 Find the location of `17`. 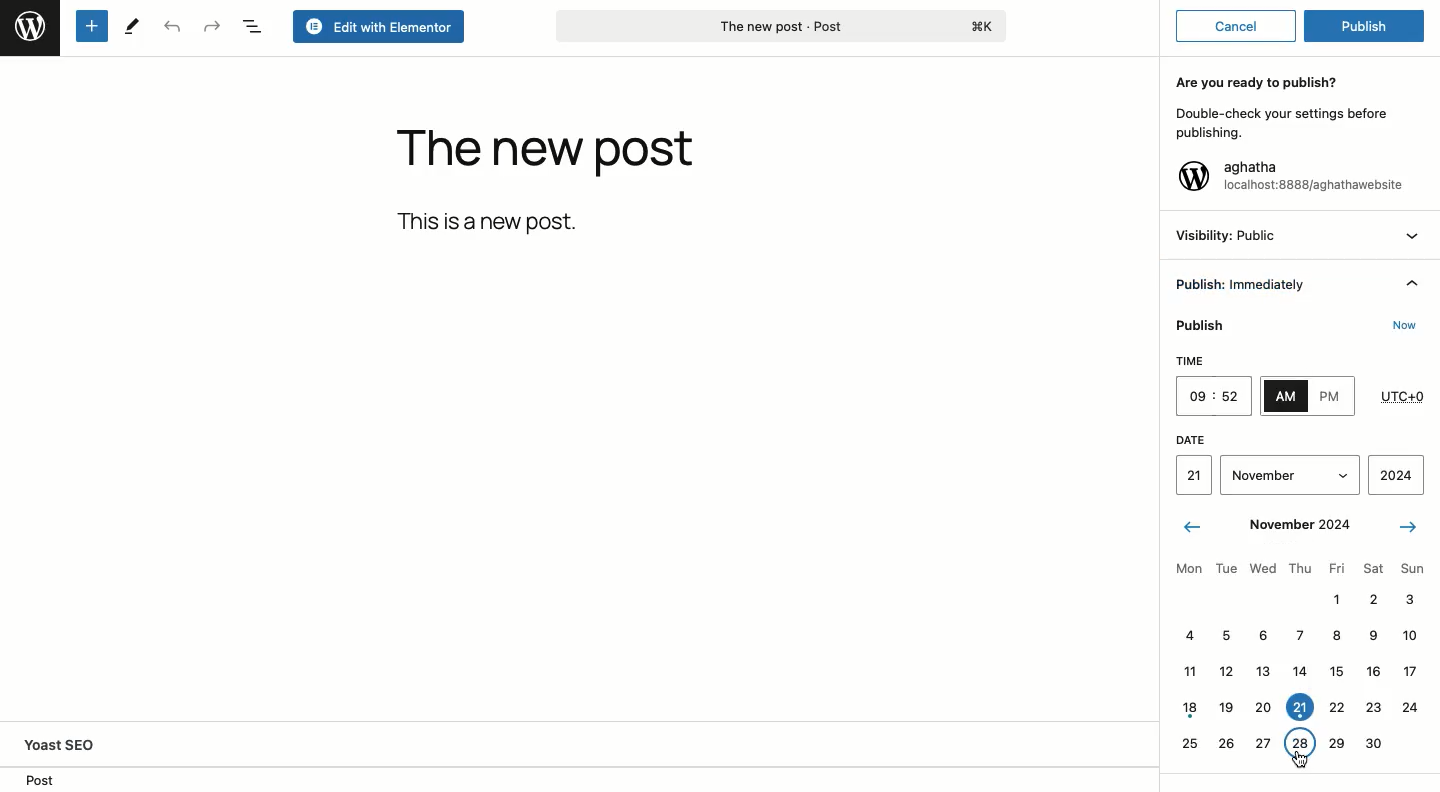

17 is located at coordinates (1413, 670).